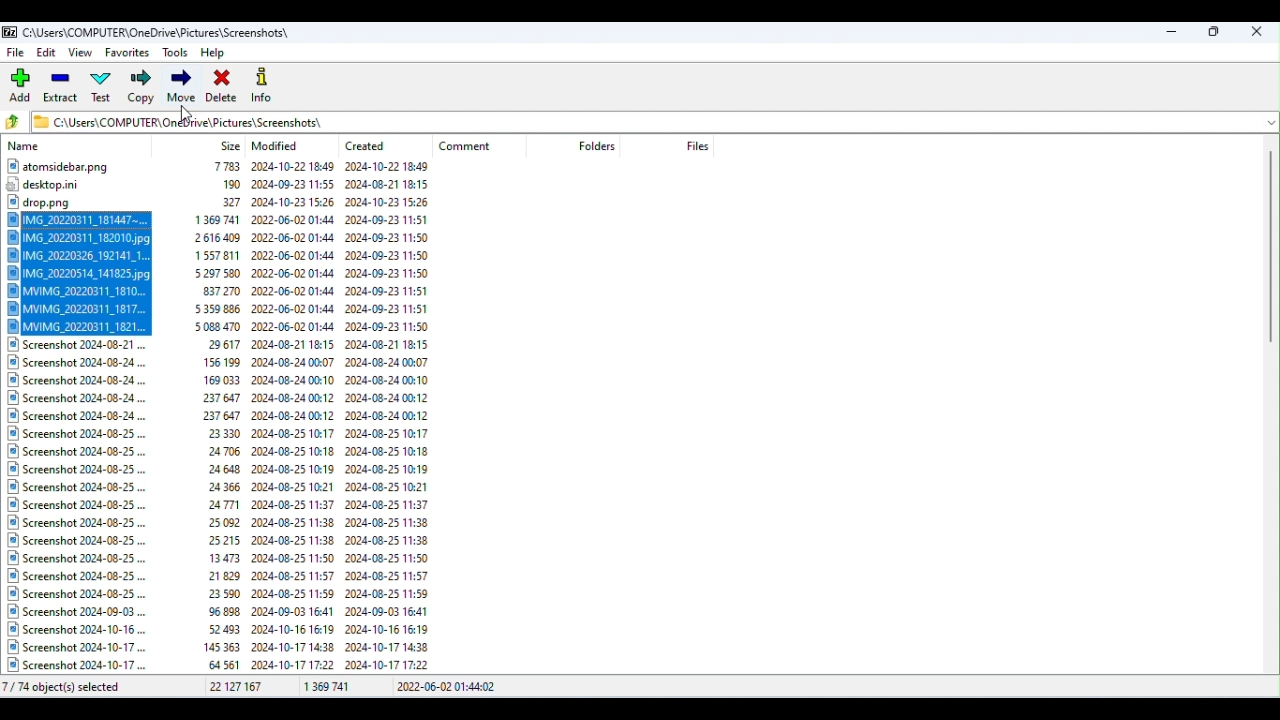  Describe the element at coordinates (176, 52) in the screenshot. I see `Tools` at that location.